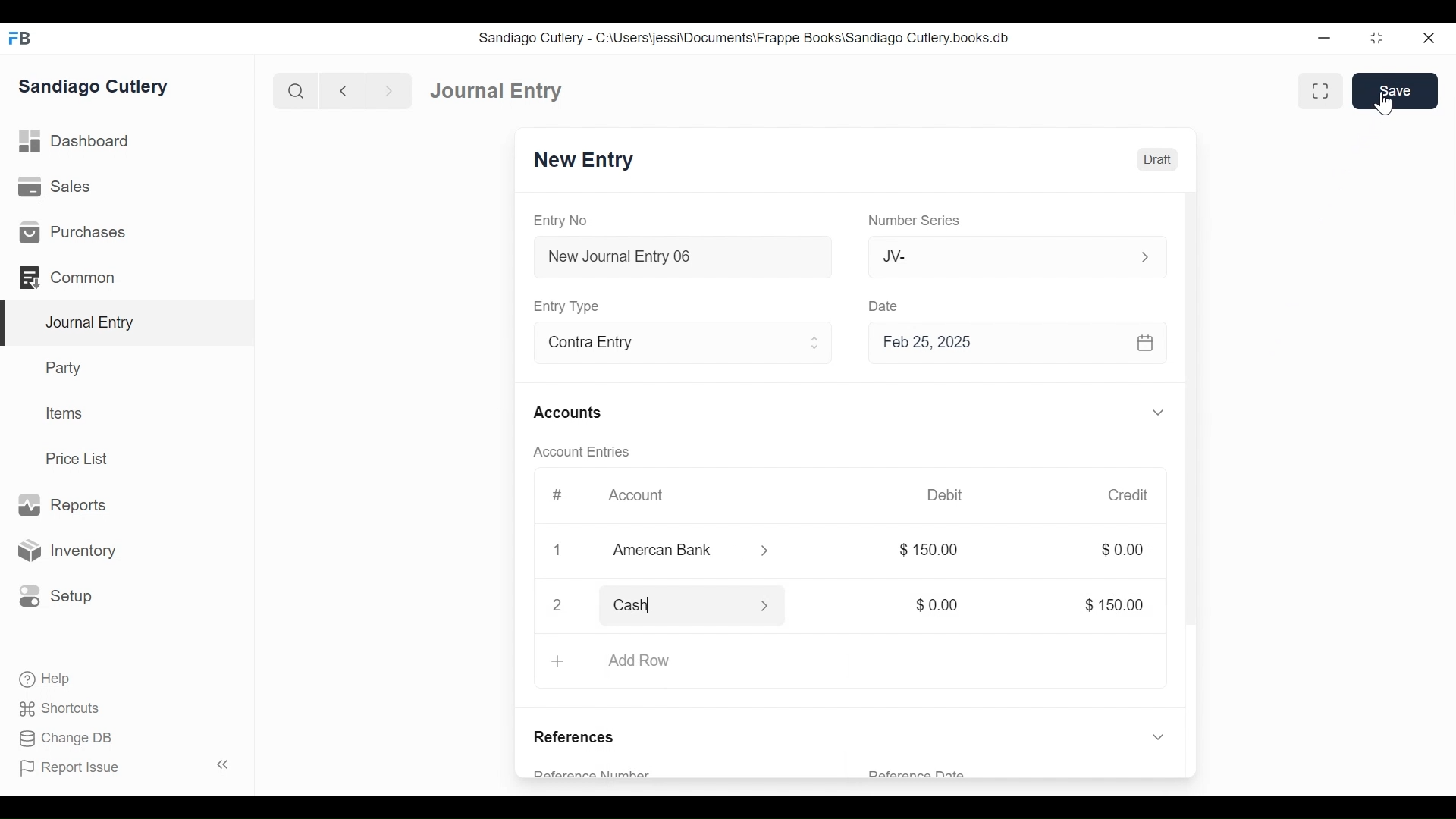  Describe the element at coordinates (1145, 257) in the screenshot. I see `Expand` at that location.